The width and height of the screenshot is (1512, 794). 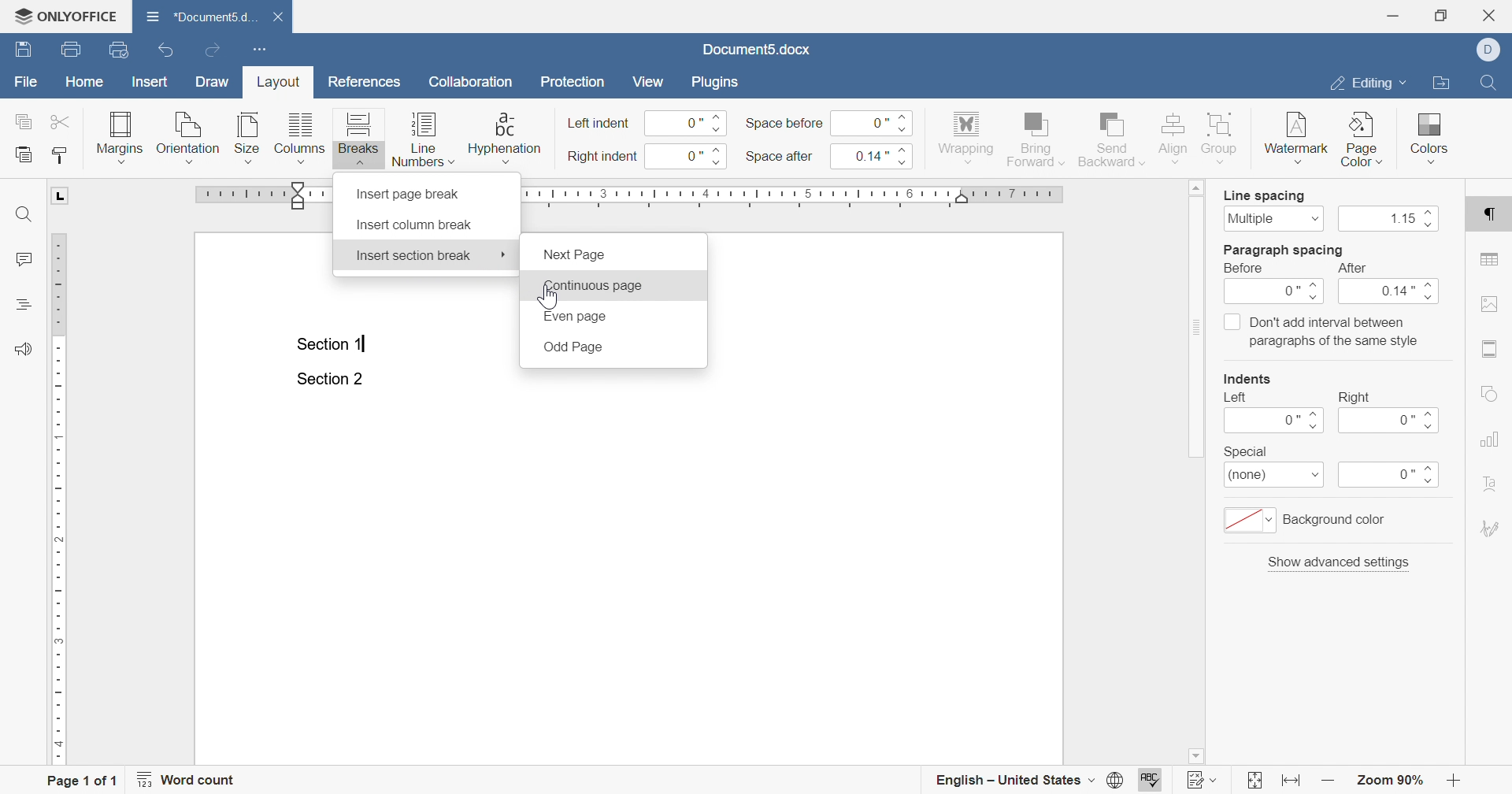 I want to click on colors, so click(x=1431, y=136).